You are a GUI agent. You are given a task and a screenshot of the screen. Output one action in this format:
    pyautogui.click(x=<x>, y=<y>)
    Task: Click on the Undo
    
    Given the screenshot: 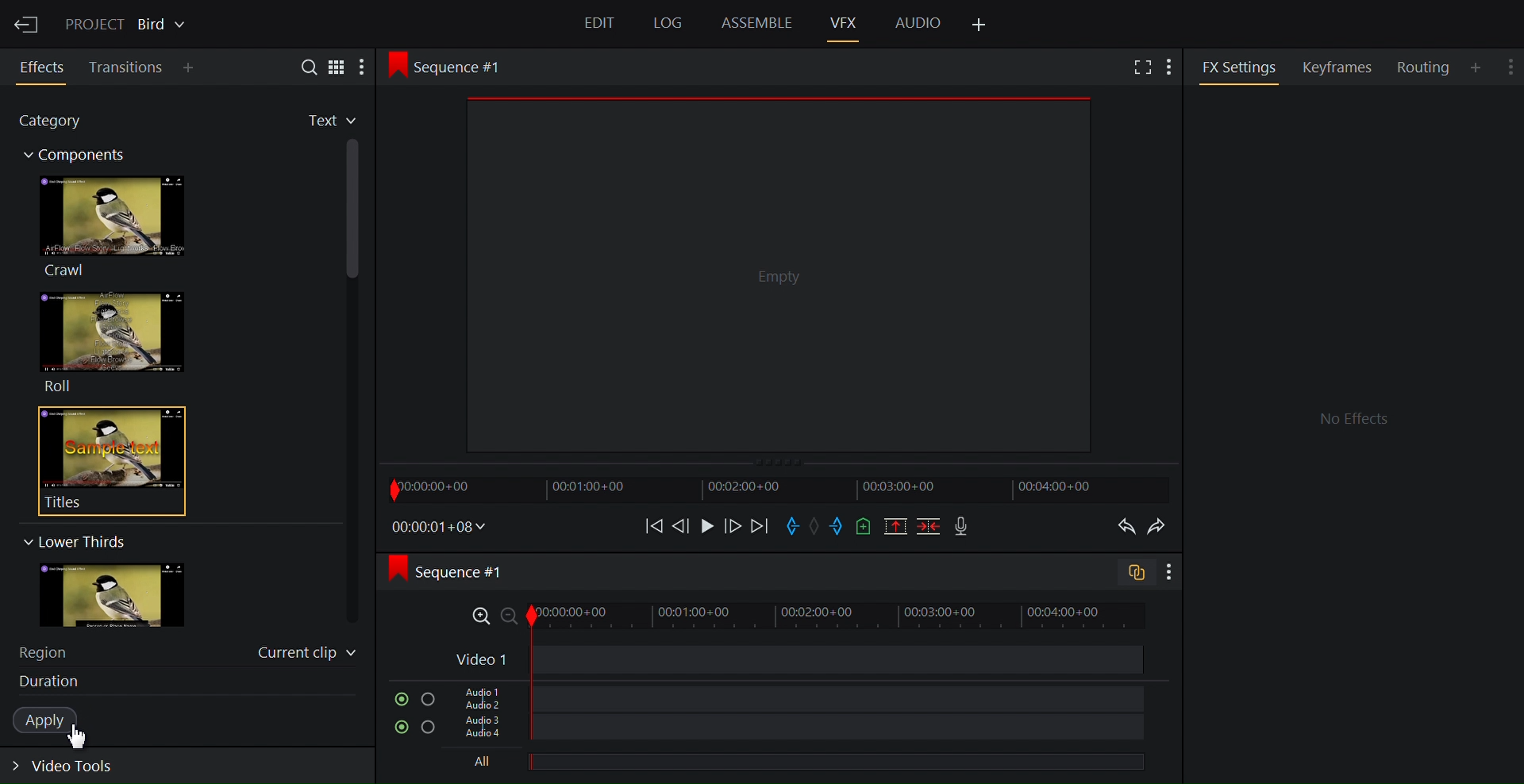 What is the action you would take?
    pyautogui.click(x=1122, y=527)
    